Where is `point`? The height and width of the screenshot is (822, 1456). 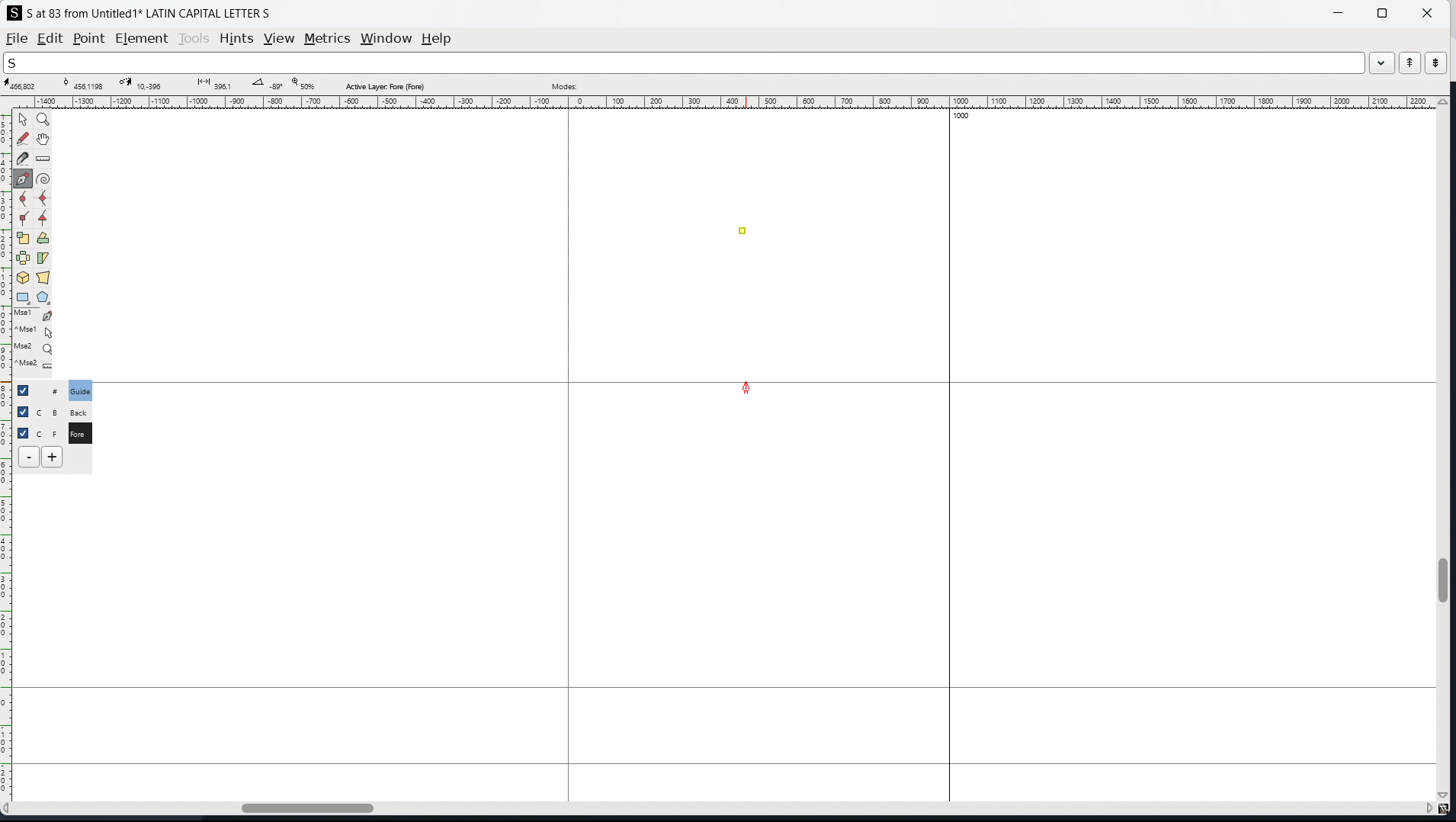 point is located at coordinates (88, 40).